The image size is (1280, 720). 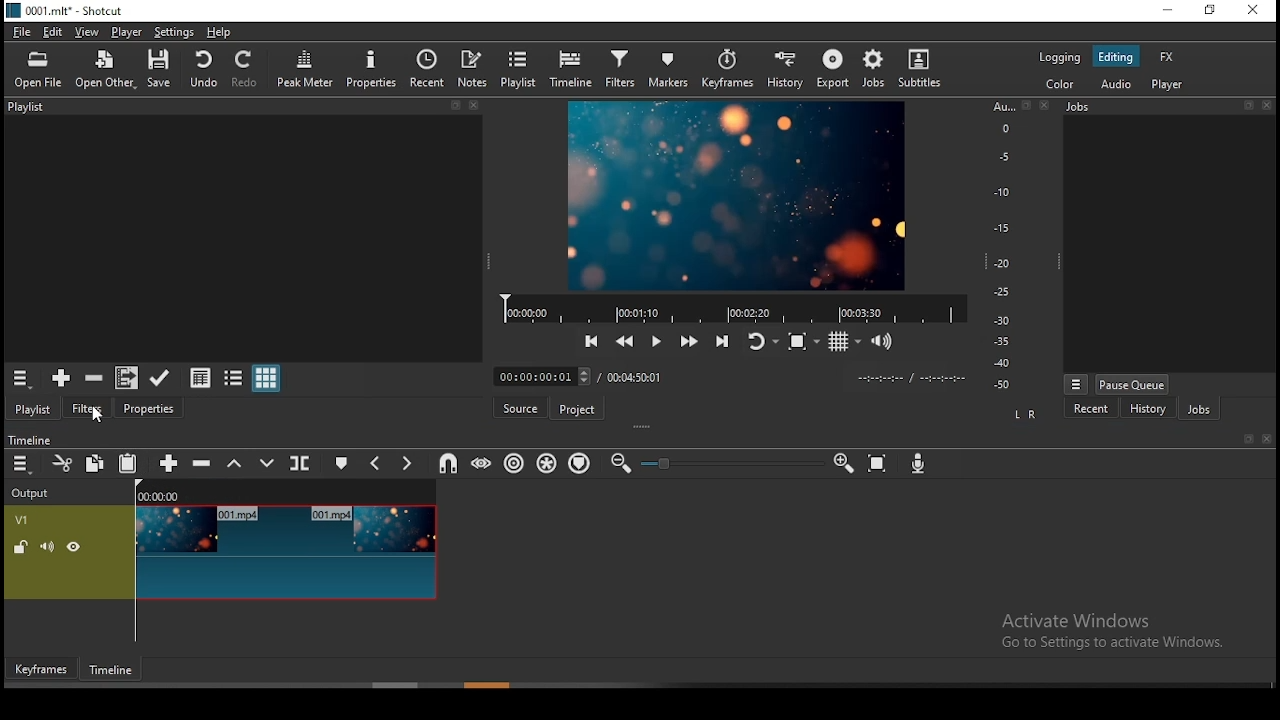 I want to click on create/edit marker, so click(x=344, y=463).